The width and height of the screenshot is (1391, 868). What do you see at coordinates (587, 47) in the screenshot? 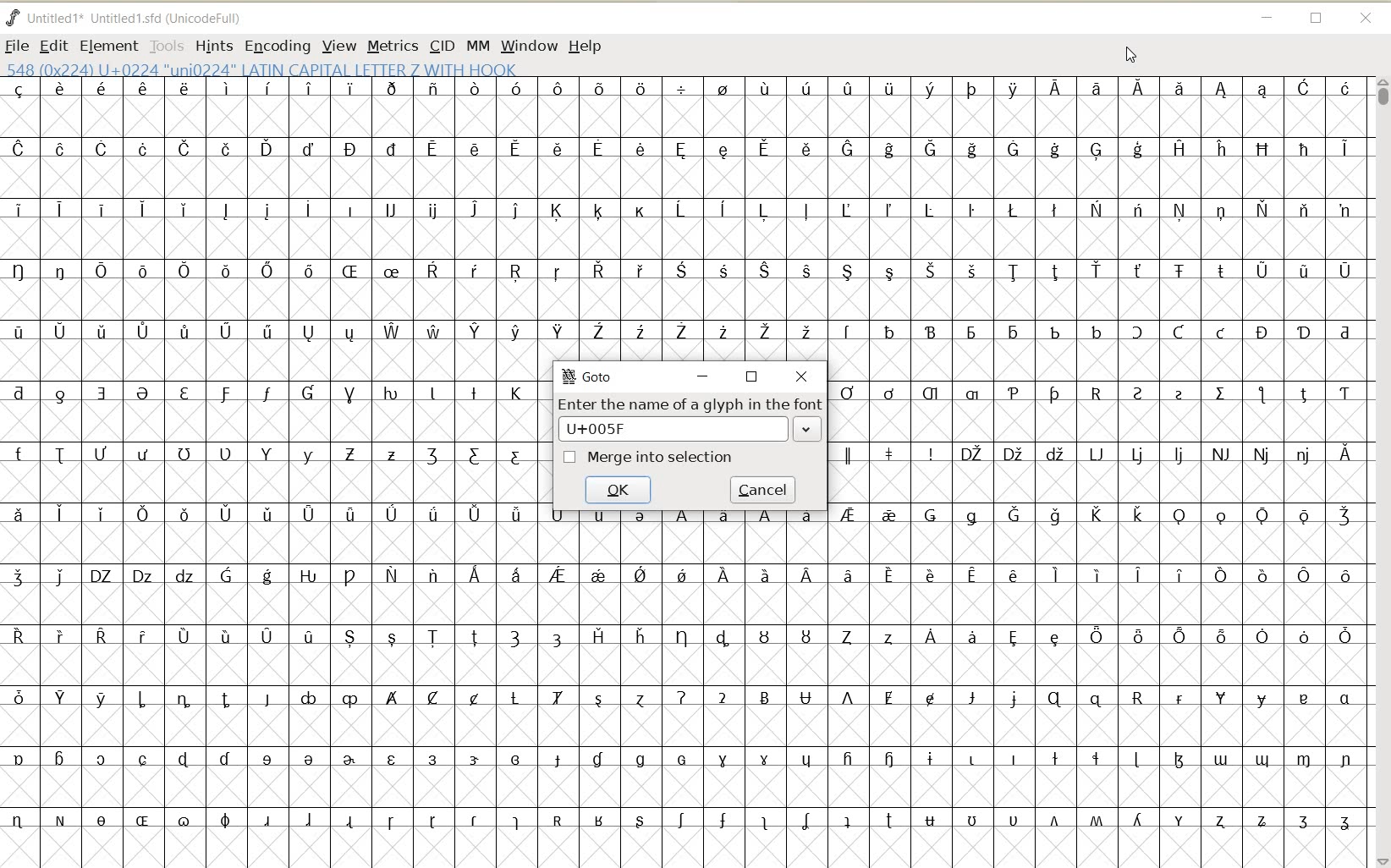
I see `HELP` at bounding box center [587, 47].